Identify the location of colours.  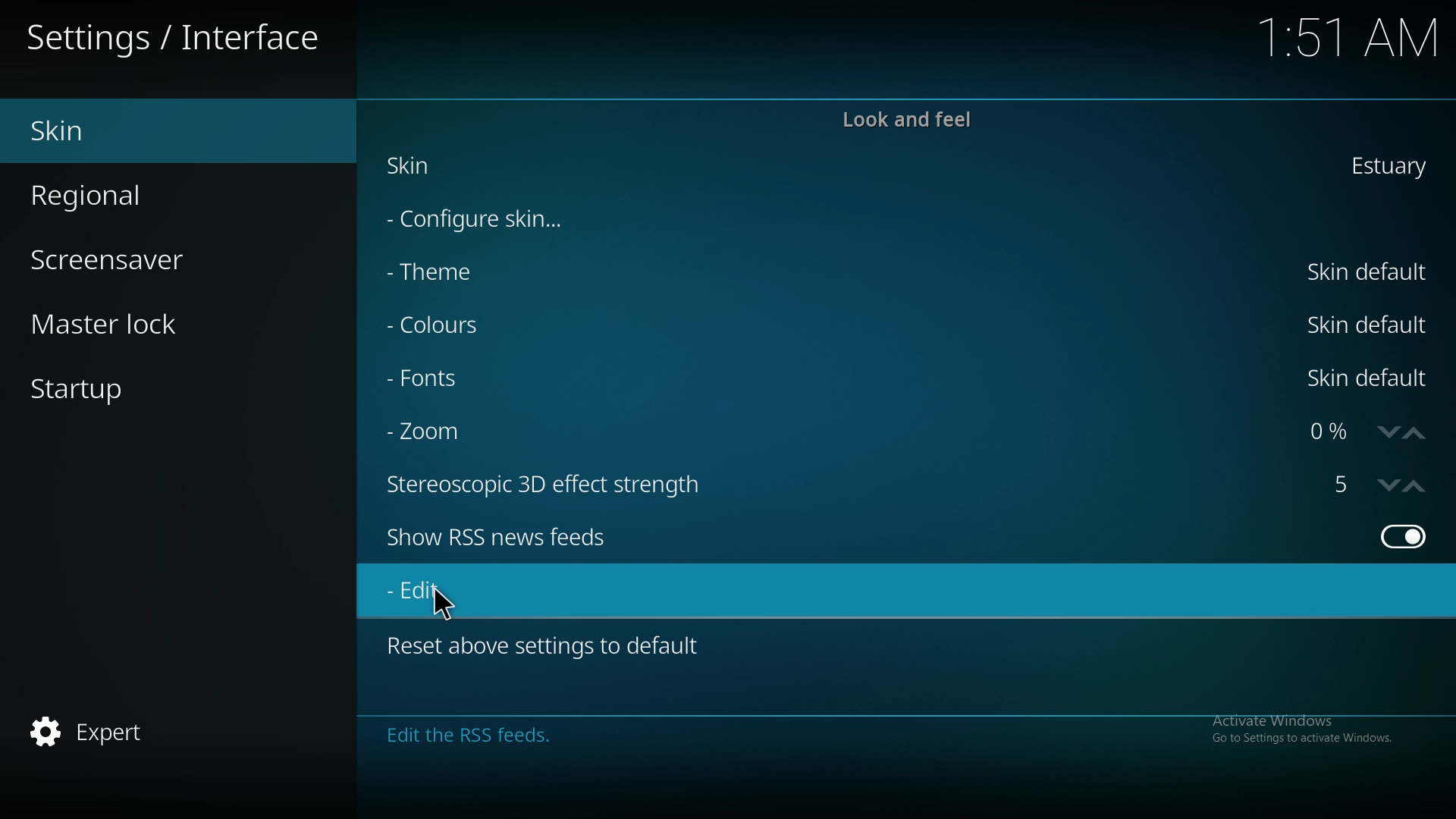
(453, 328).